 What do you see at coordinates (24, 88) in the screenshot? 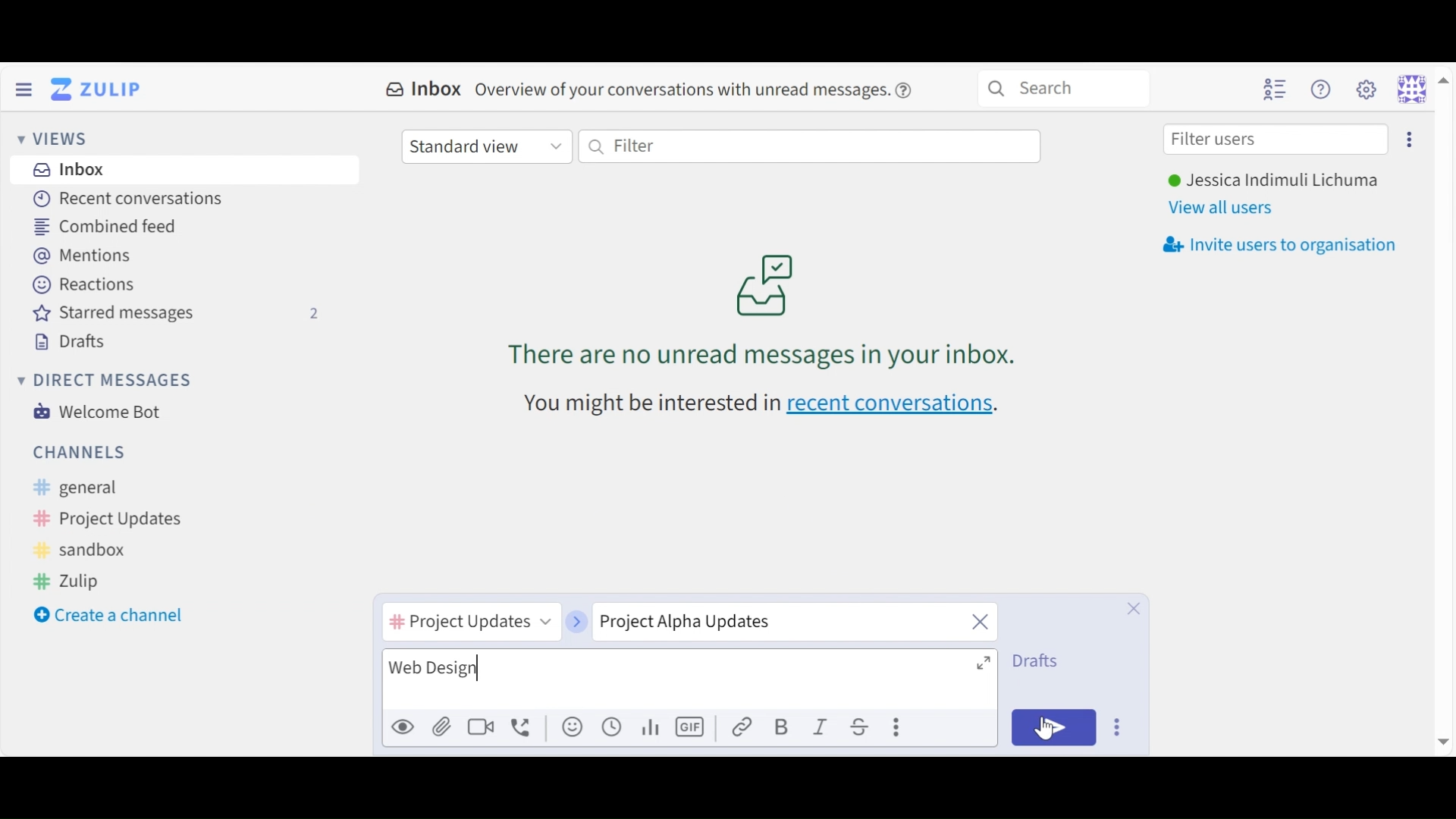
I see `Hide Sidebar` at bounding box center [24, 88].